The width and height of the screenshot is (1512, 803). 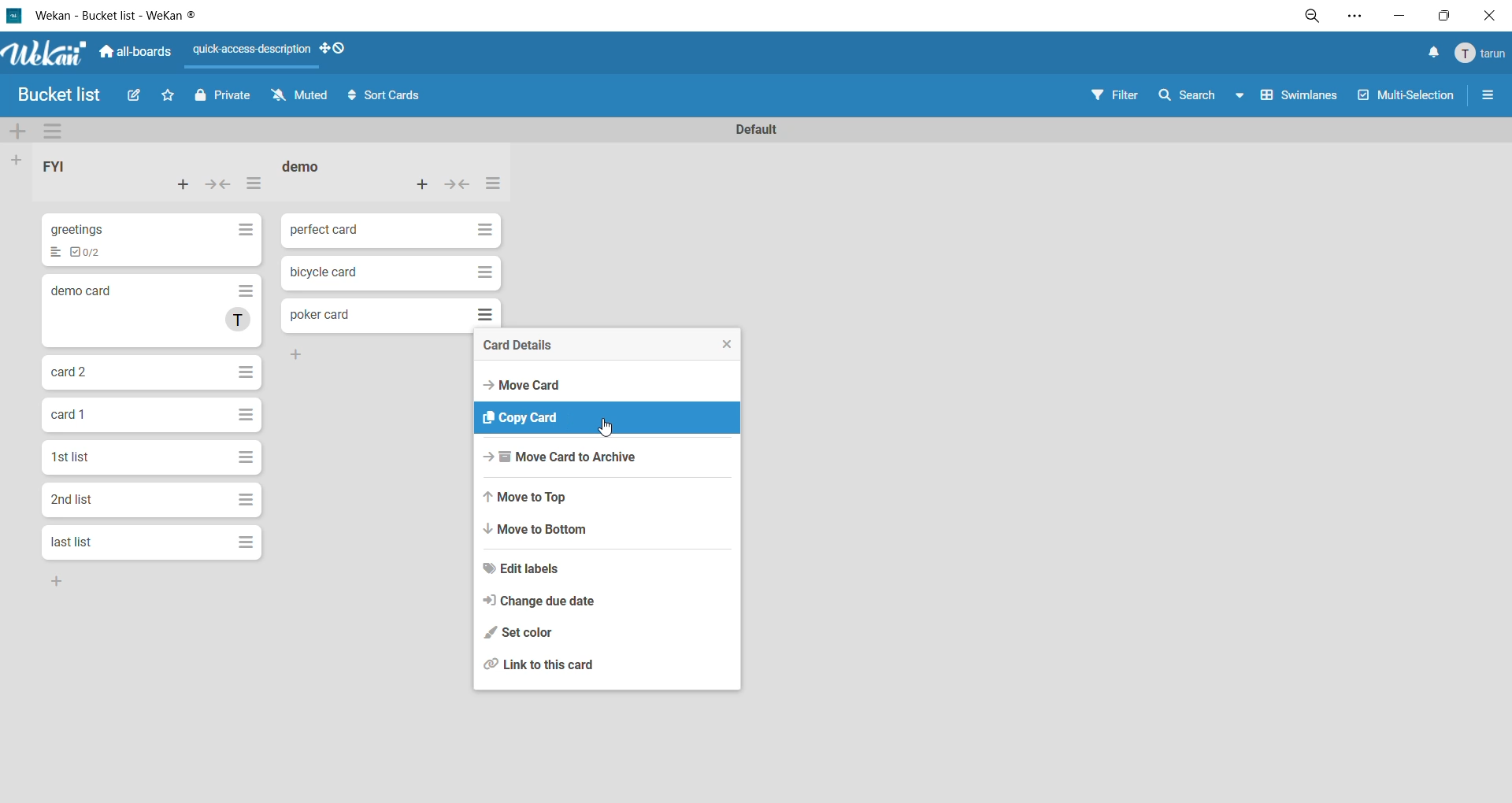 What do you see at coordinates (137, 98) in the screenshot?
I see `edit` at bounding box center [137, 98].